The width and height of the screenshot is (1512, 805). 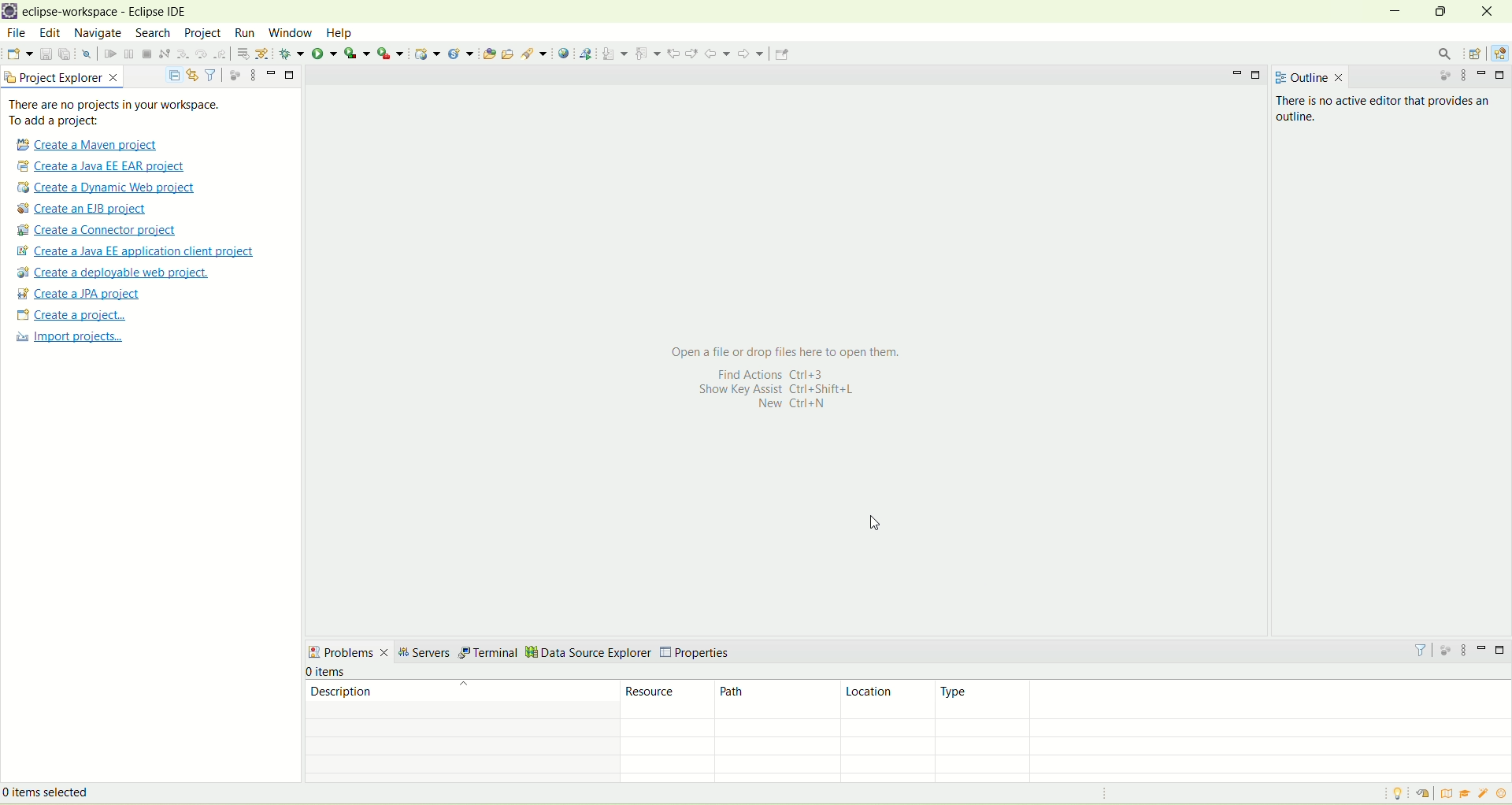 What do you see at coordinates (97, 232) in the screenshot?
I see `create a connector project` at bounding box center [97, 232].